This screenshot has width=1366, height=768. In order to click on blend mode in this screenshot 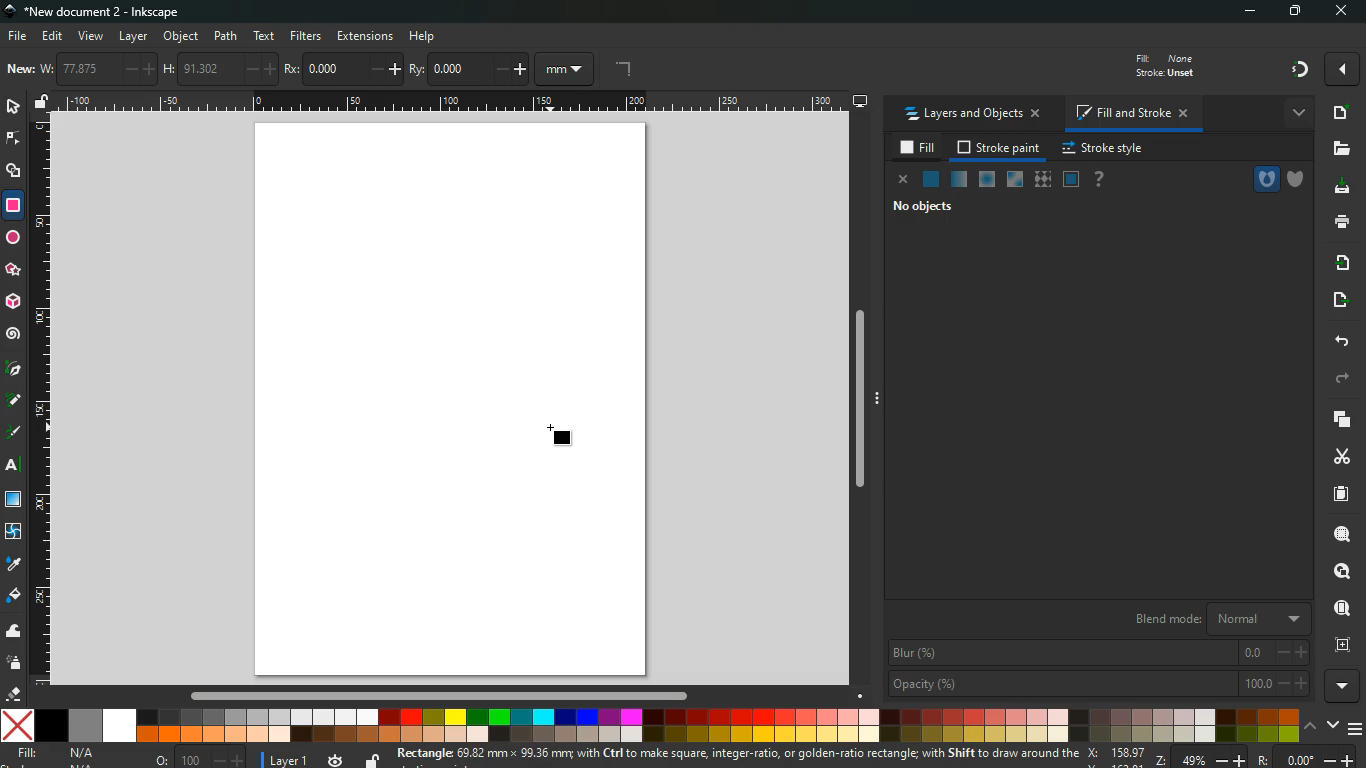, I will do `click(1212, 619)`.